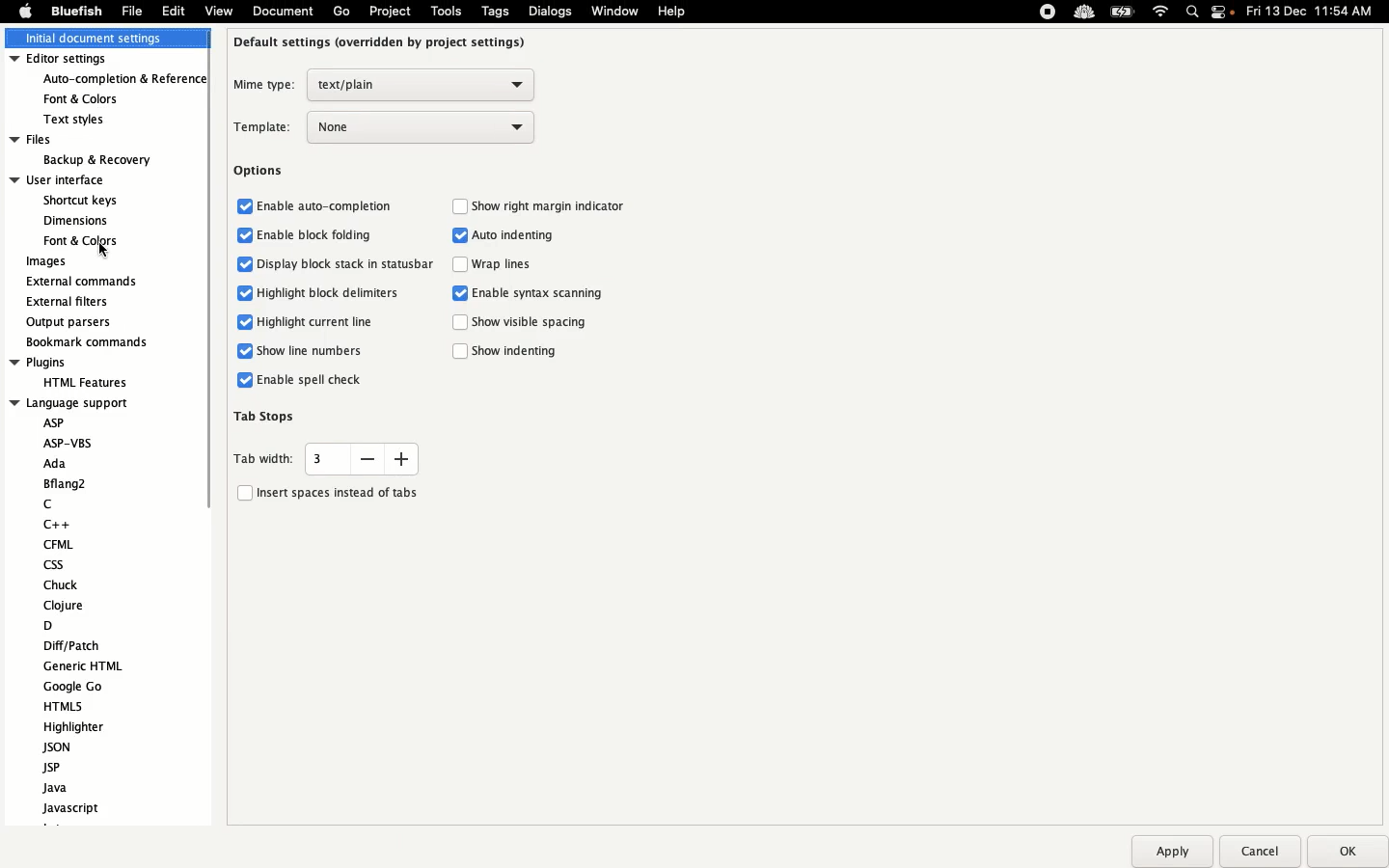 This screenshot has height=868, width=1389. Describe the element at coordinates (672, 11) in the screenshot. I see `Help` at that location.